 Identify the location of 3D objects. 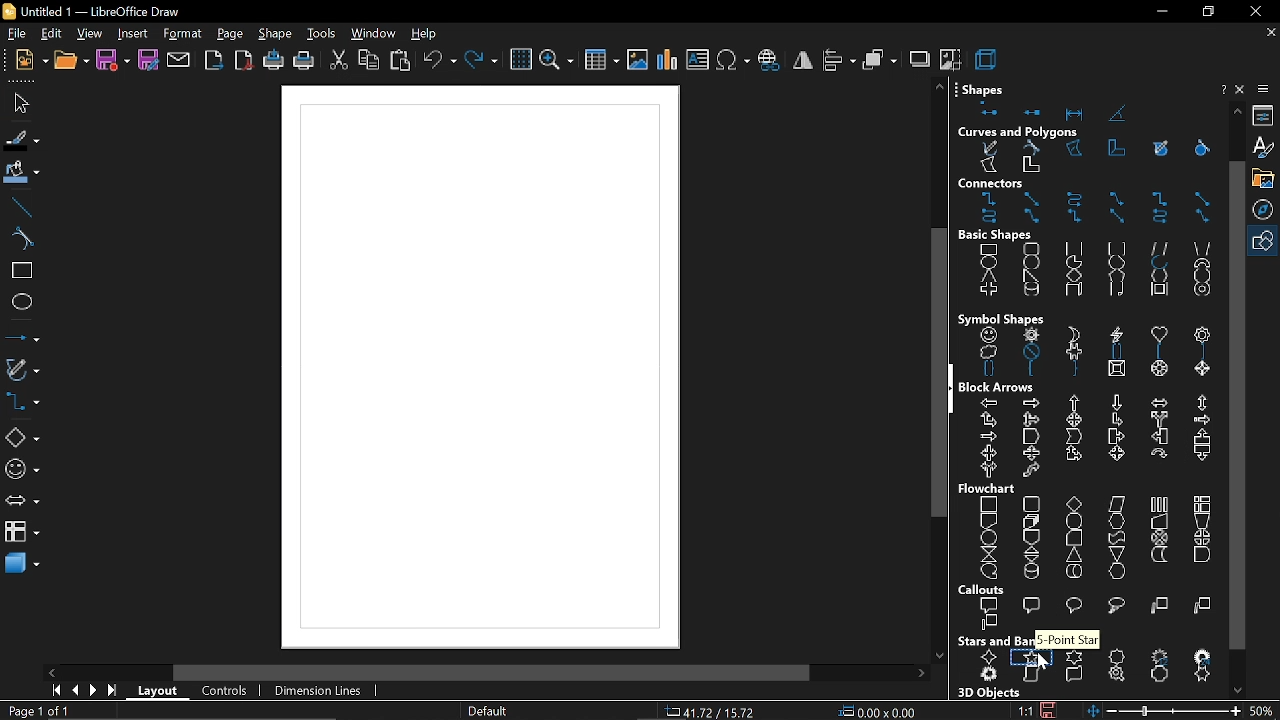
(991, 694).